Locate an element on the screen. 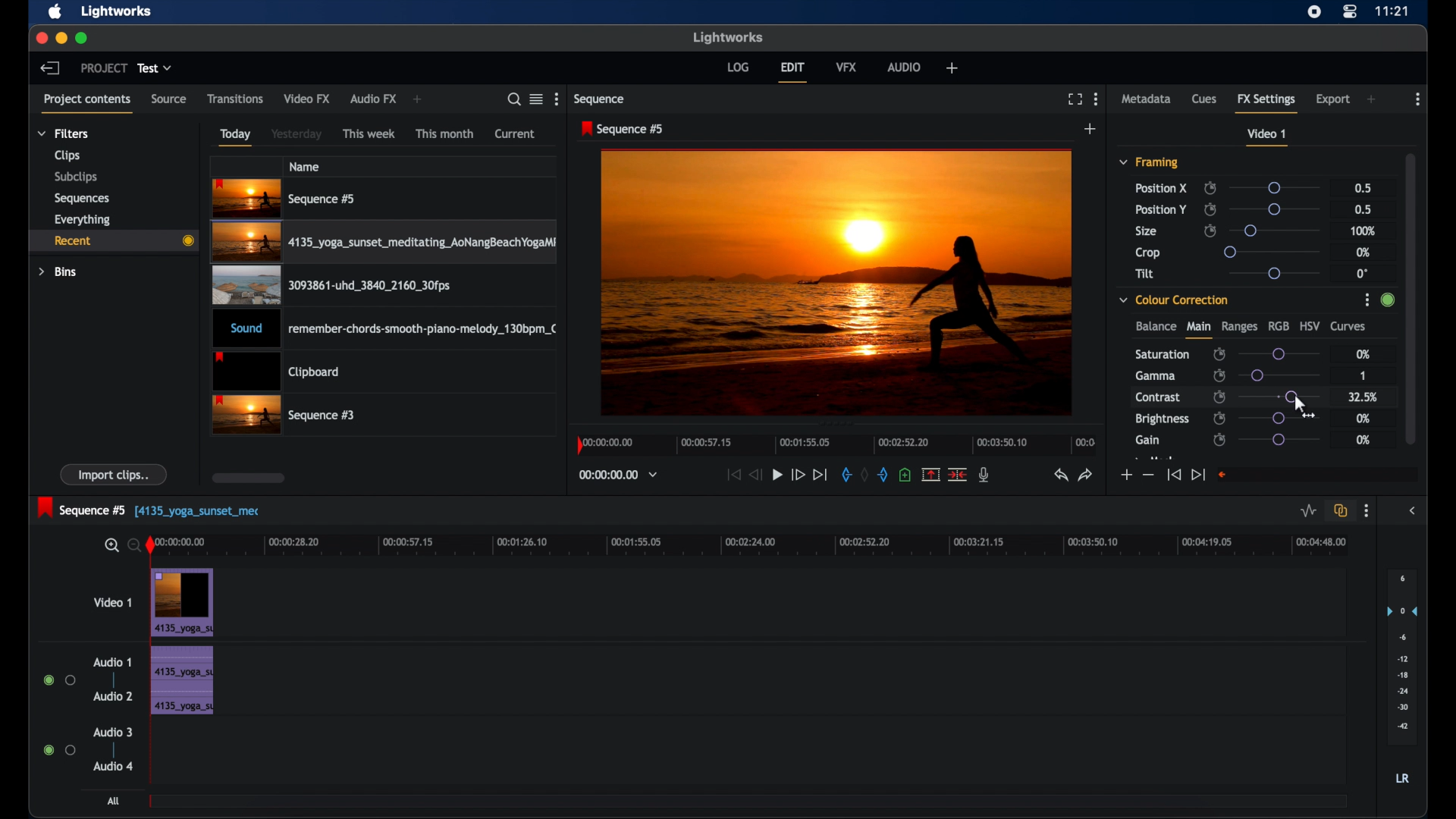 This screenshot has width=1456, height=819. 0 is located at coordinates (1362, 274).